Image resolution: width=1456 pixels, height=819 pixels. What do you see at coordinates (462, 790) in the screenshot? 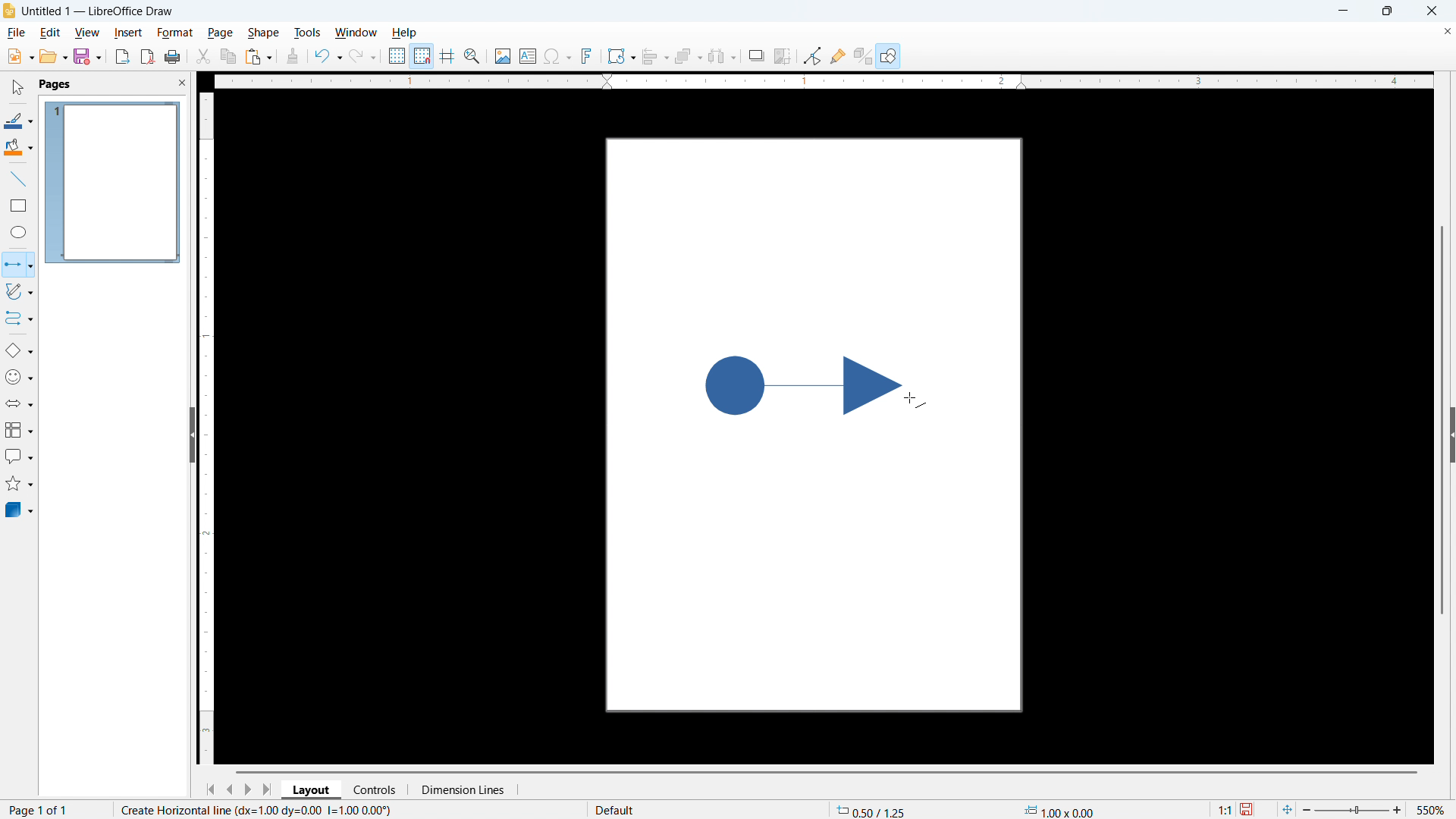
I see `Dimension lines ` at bounding box center [462, 790].